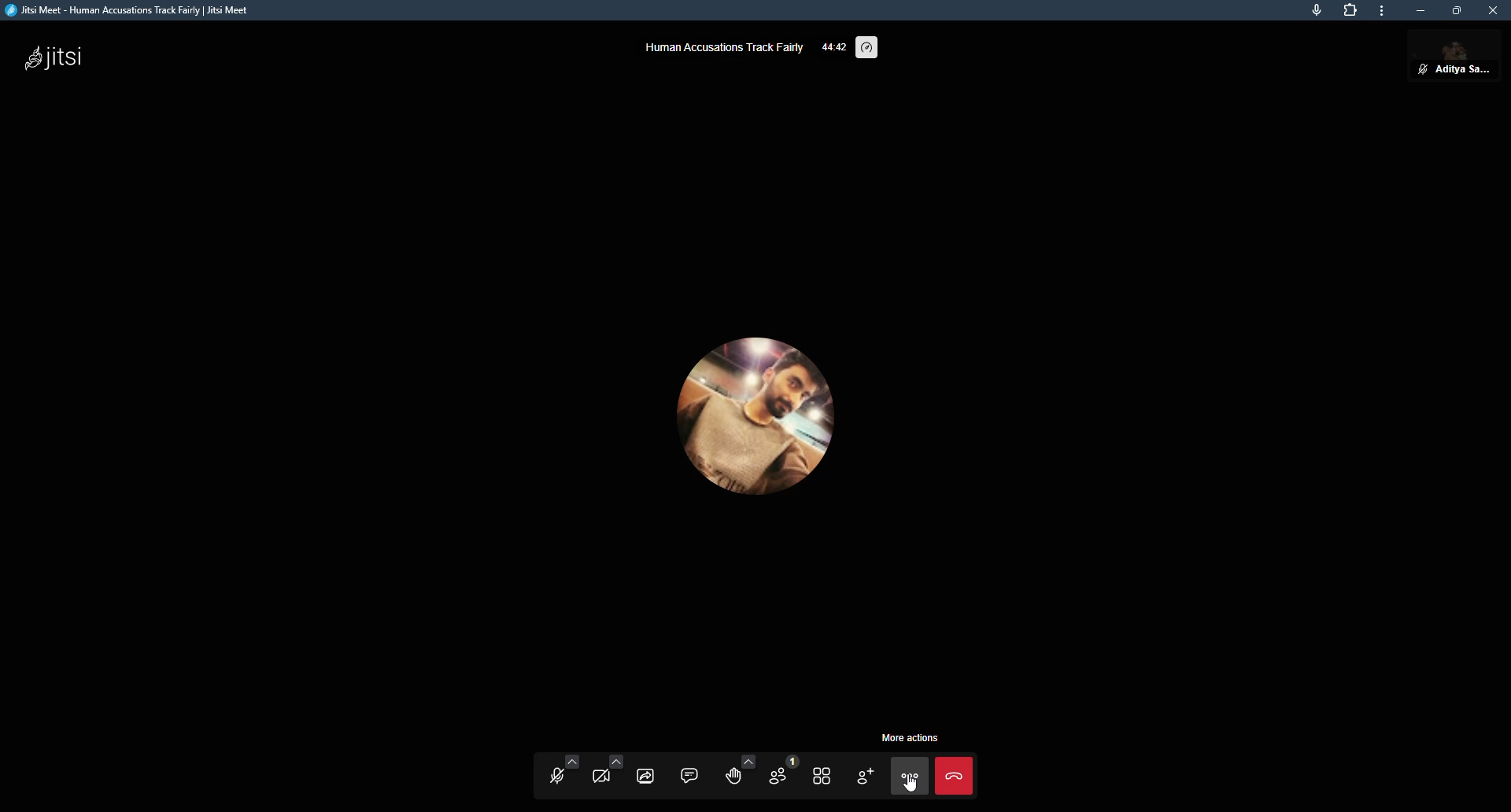 This screenshot has height=812, width=1511. Describe the element at coordinates (833, 46) in the screenshot. I see `elapsed time` at that location.